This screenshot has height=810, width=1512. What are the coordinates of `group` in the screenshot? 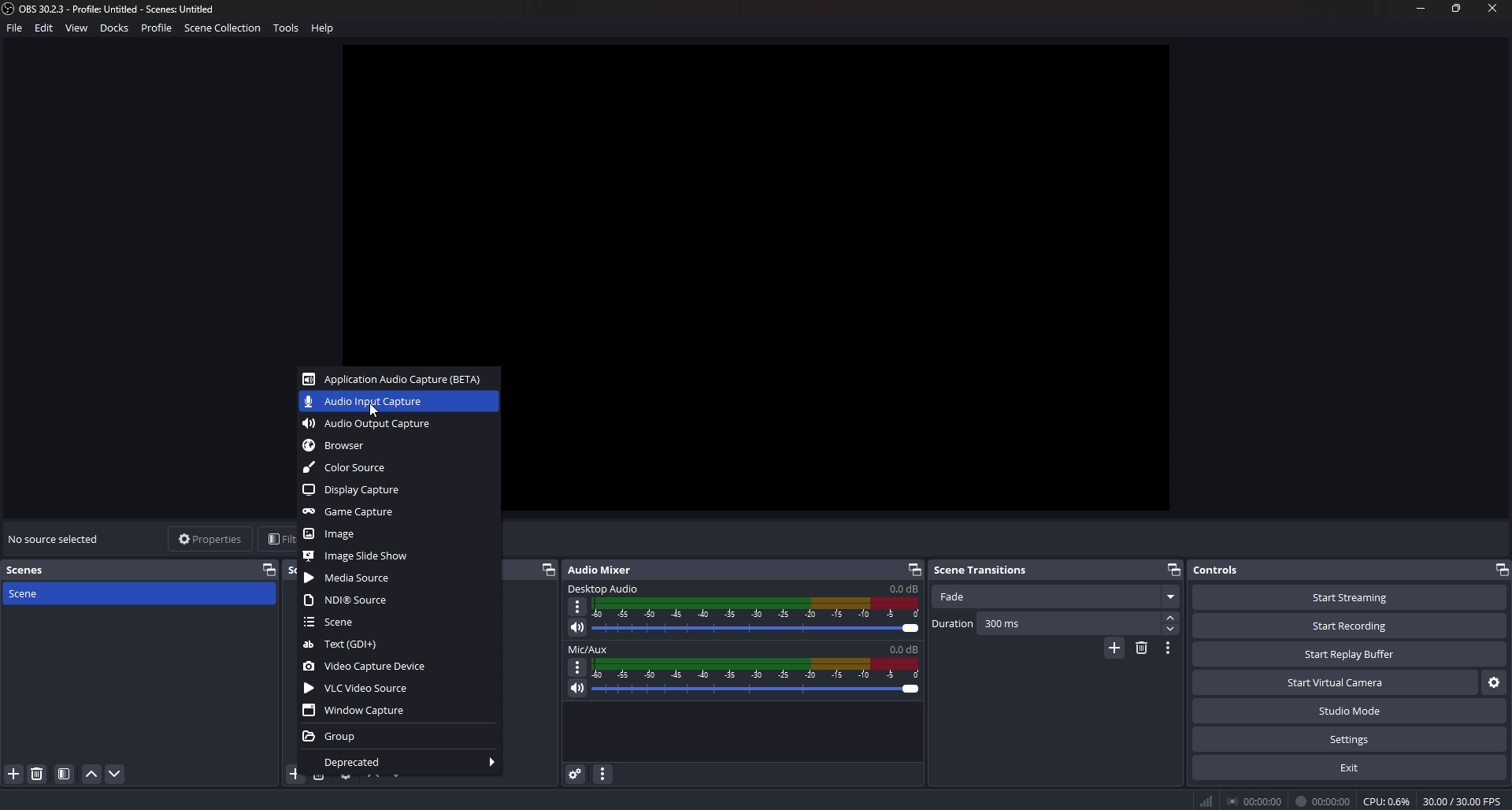 It's located at (398, 735).